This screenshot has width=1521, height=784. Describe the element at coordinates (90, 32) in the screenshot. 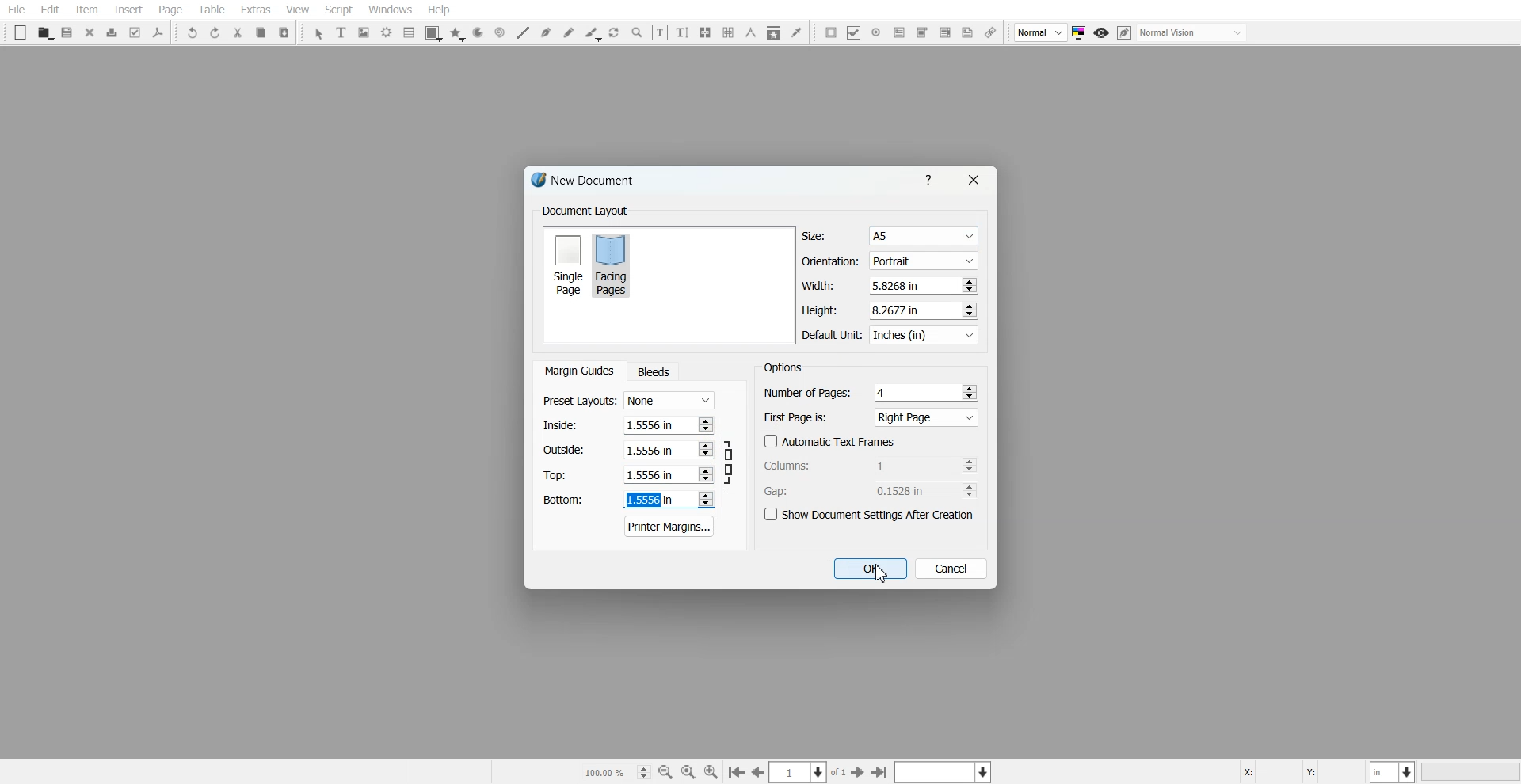

I see `Close` at that location.